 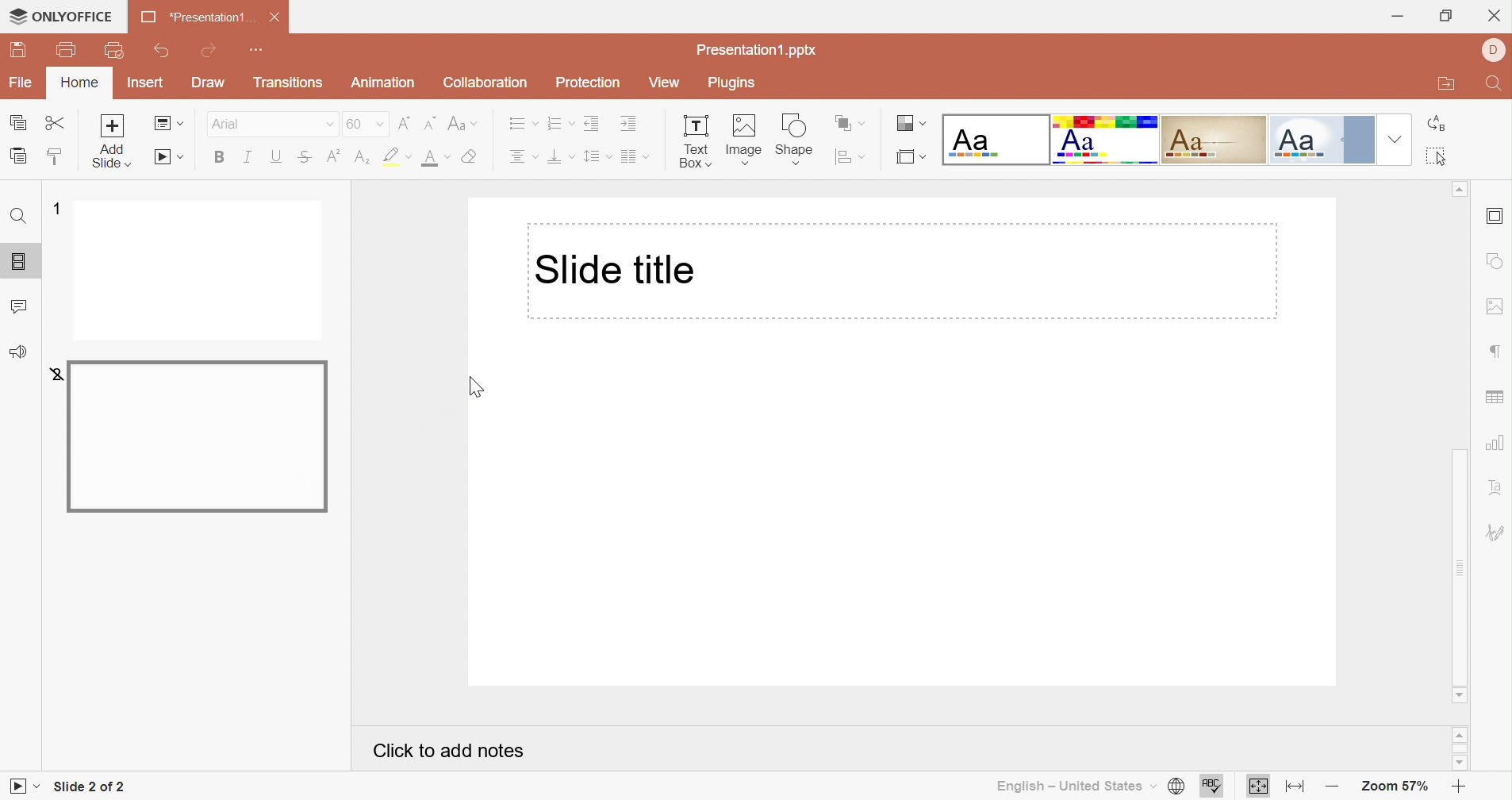 I want to click on 60, so click(x=354, y=124).